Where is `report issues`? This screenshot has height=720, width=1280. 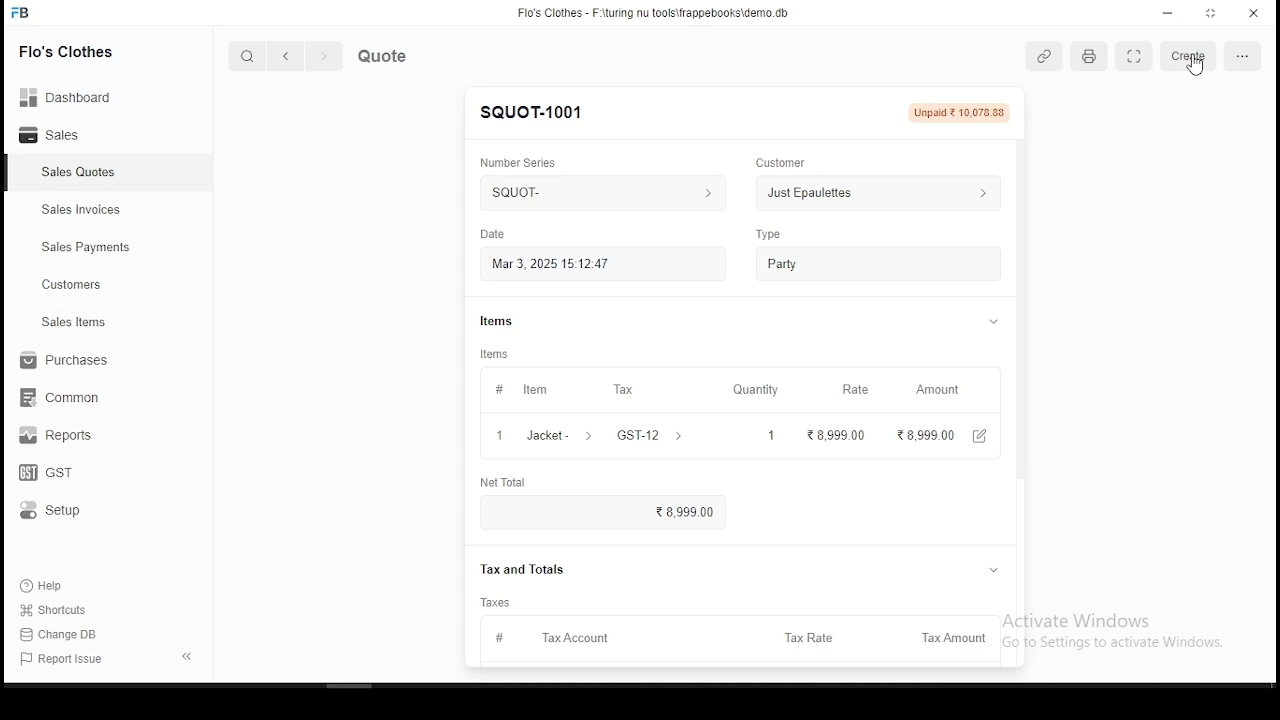
report issues is located at coordinates (65, 660).